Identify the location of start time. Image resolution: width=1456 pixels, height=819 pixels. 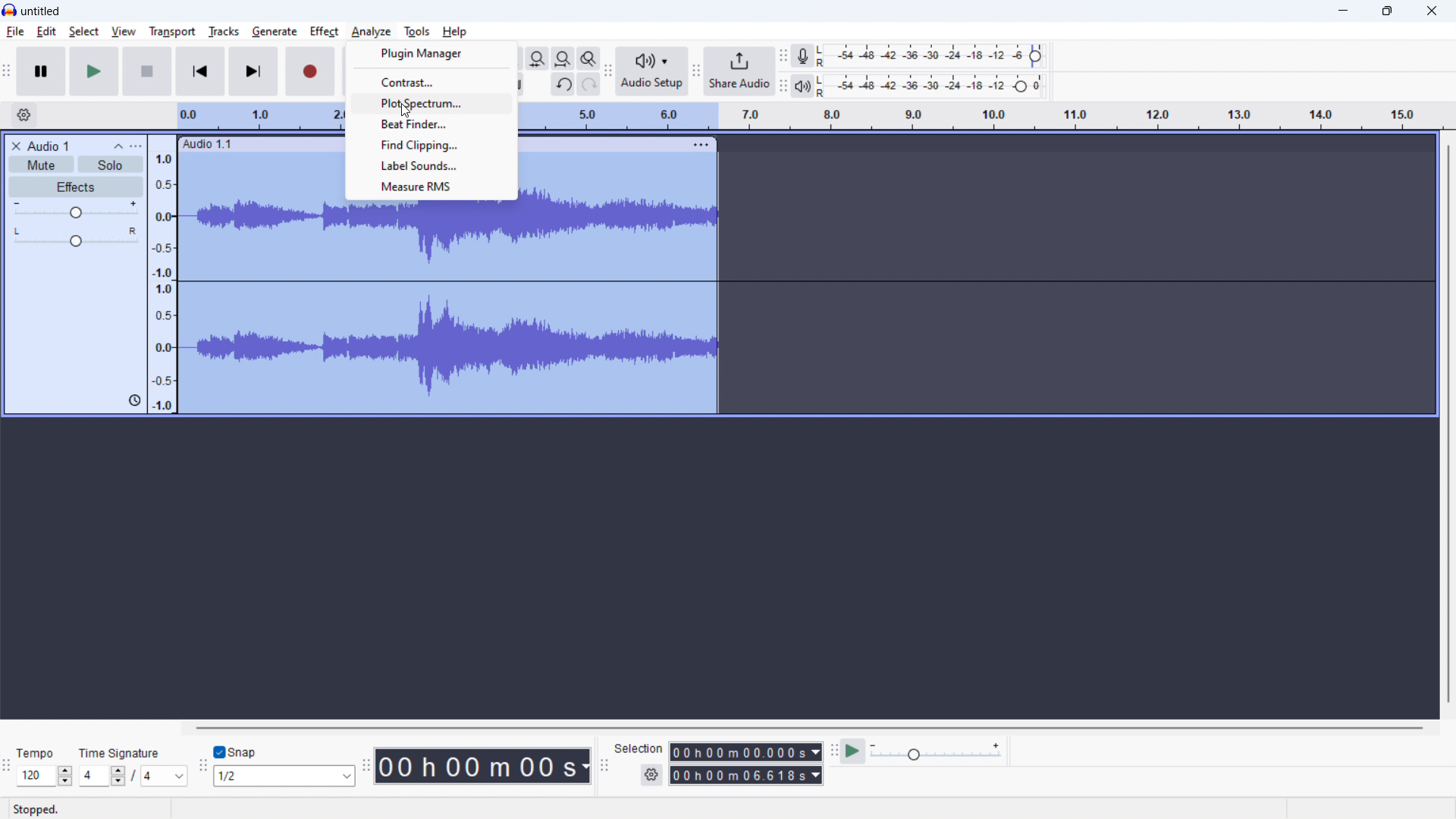
(746, 752).